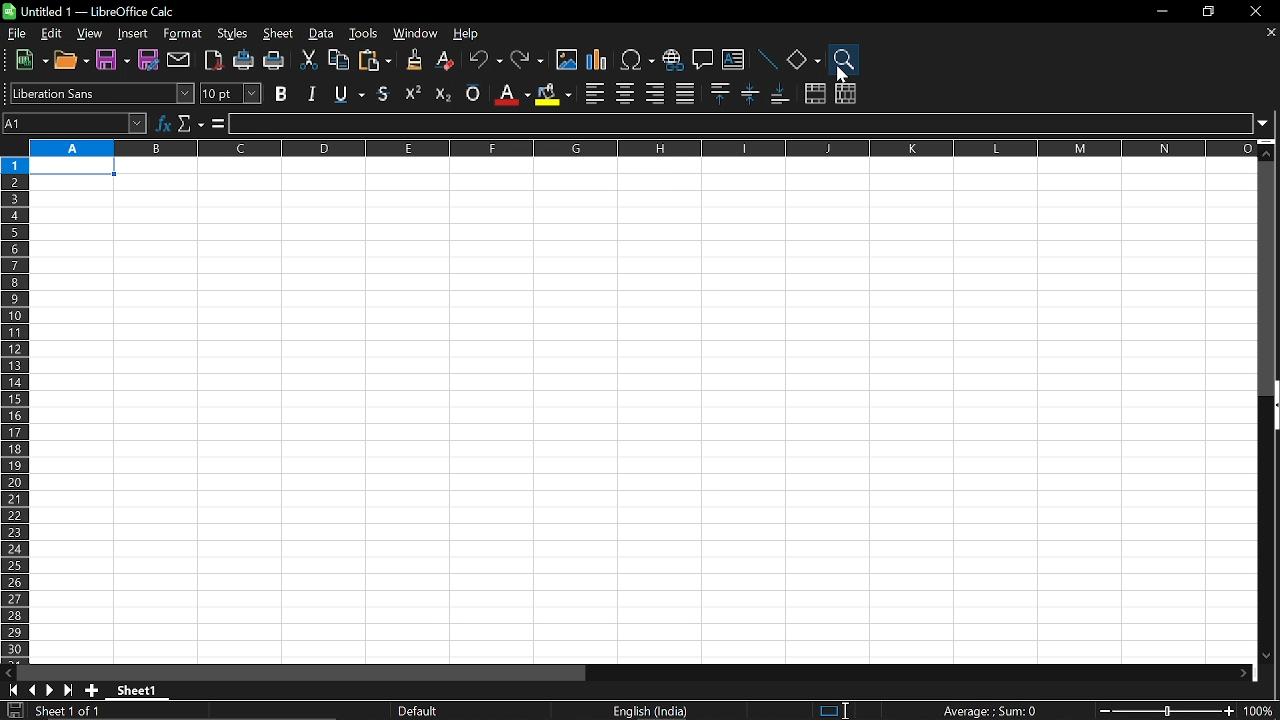 The height and width of the screenshot is (720, 1280). Describe the element at coordinates (1252, 13) in the screenshot. I see `close` at that location.